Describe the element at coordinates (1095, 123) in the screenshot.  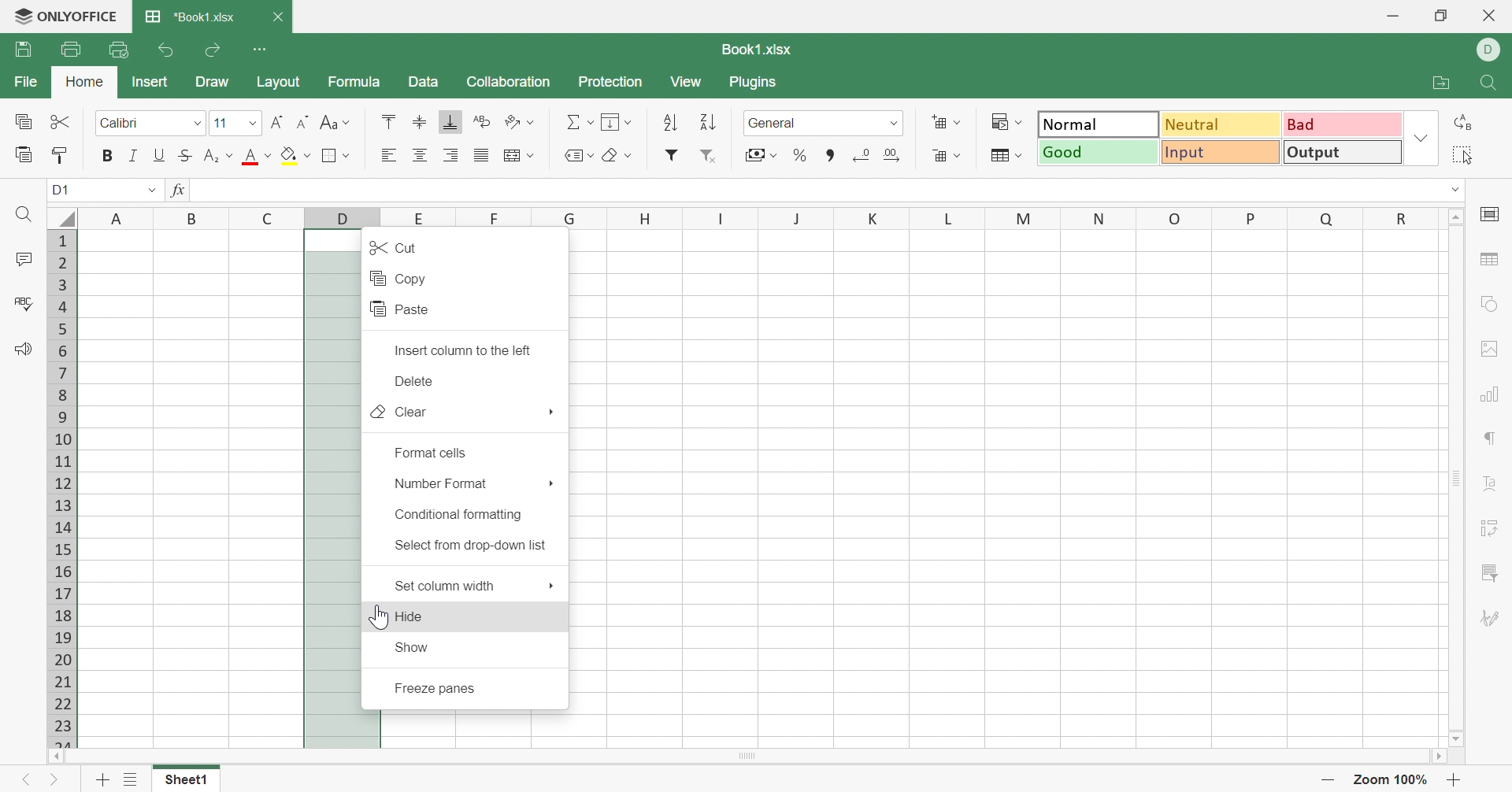
I see `Normal` at that location.